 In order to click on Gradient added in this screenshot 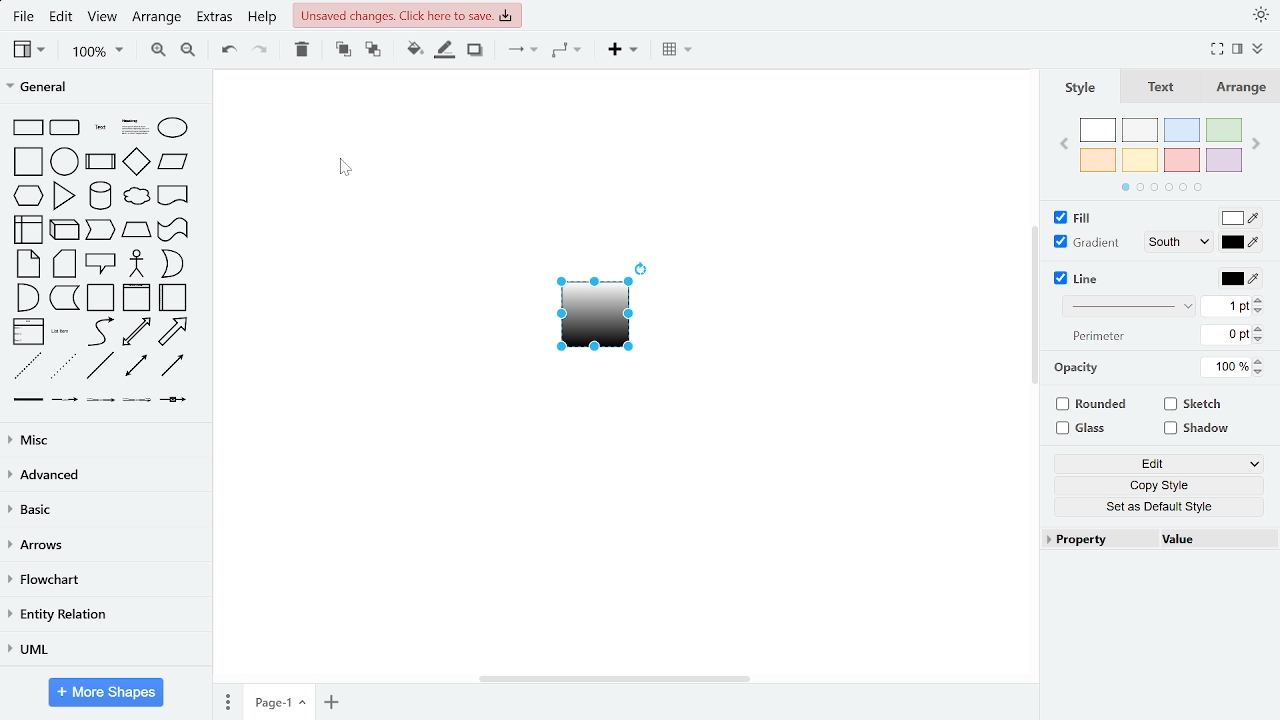, I will do `click(592, 322)`.